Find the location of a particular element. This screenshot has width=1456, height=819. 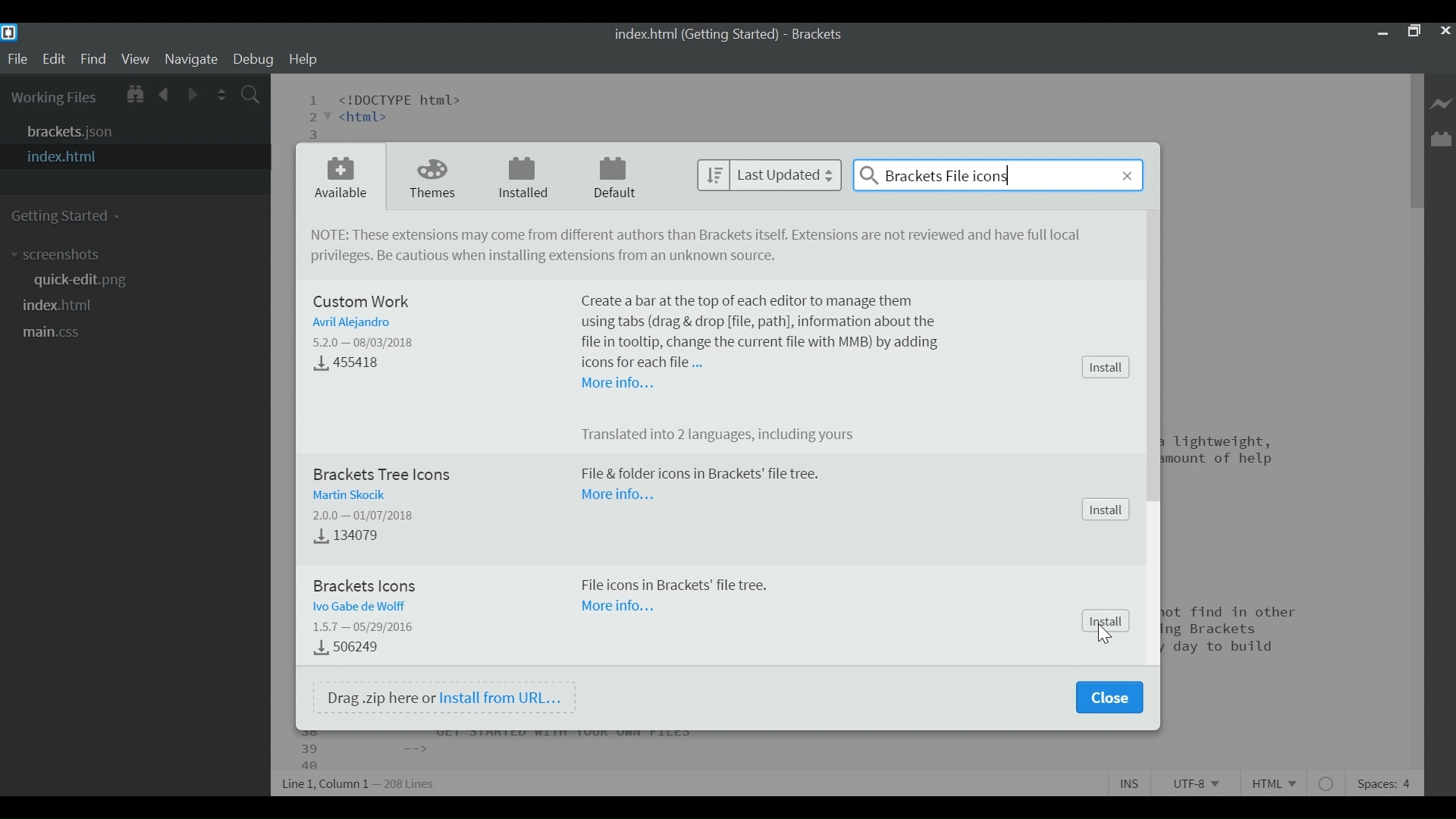

main.css is located at coordinates (66, 334).